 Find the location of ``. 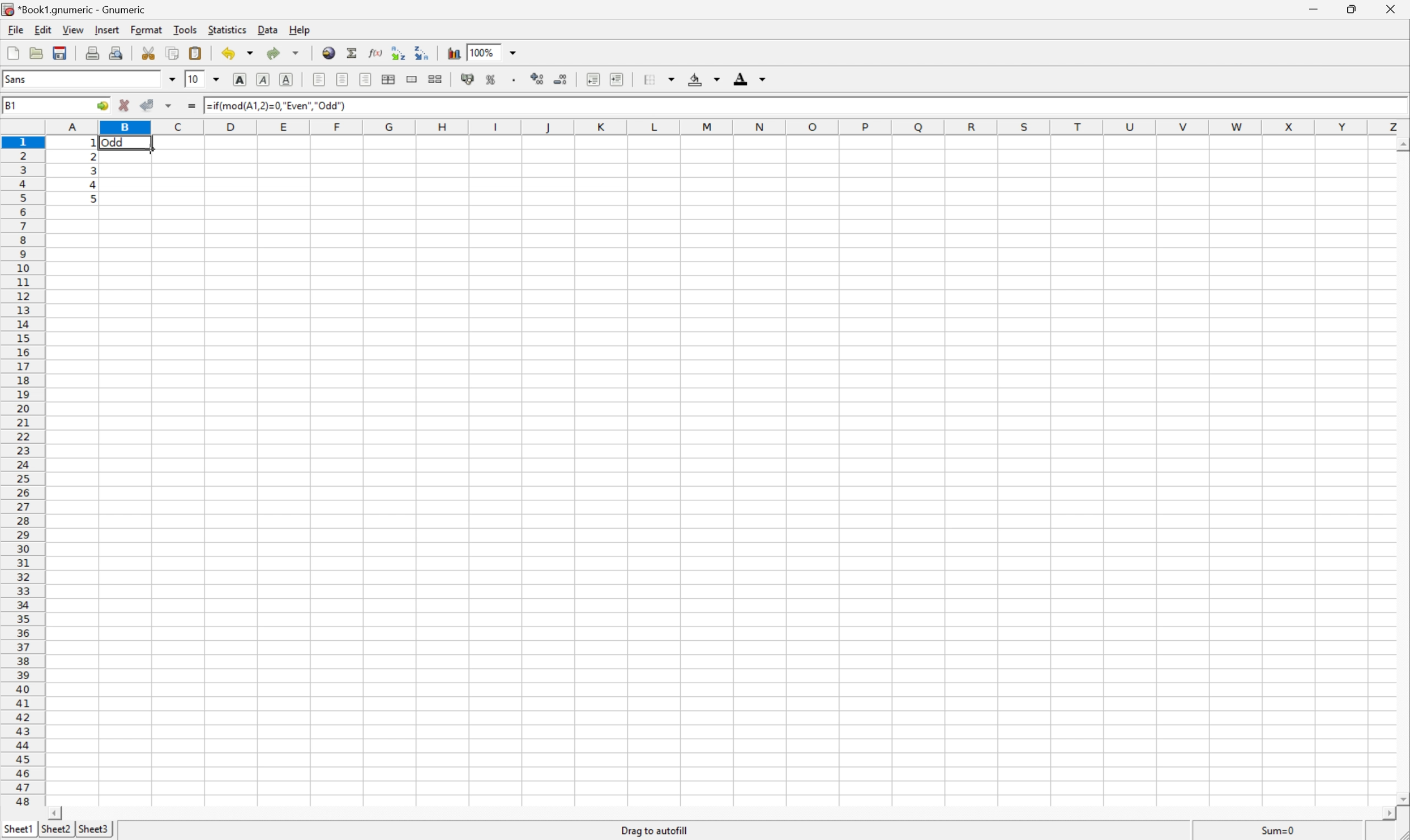

 is located at coordinates (1399, 144).